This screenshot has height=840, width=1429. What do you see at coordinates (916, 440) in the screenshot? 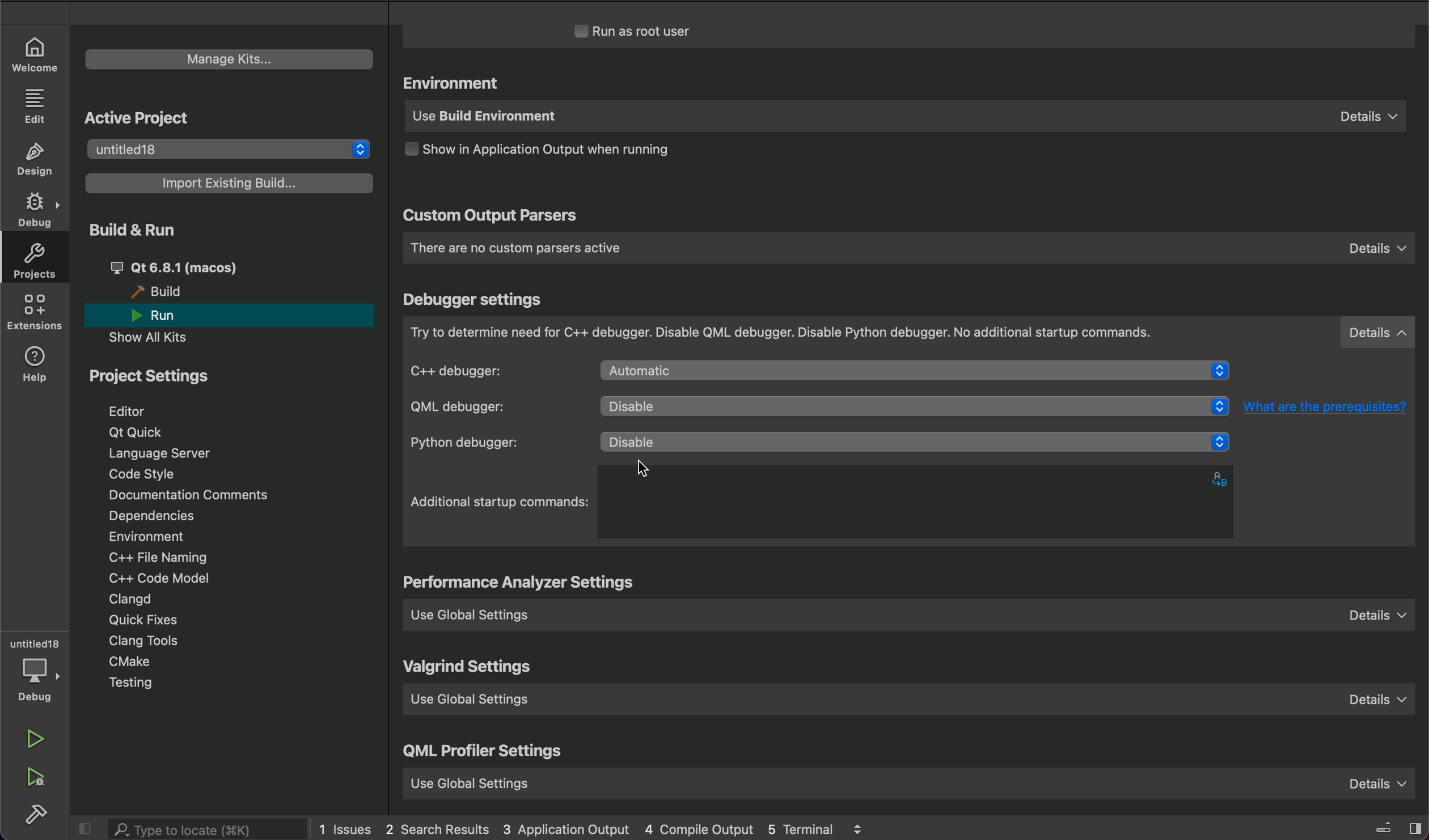
I see `disabled` at bounding box center [916, 440].